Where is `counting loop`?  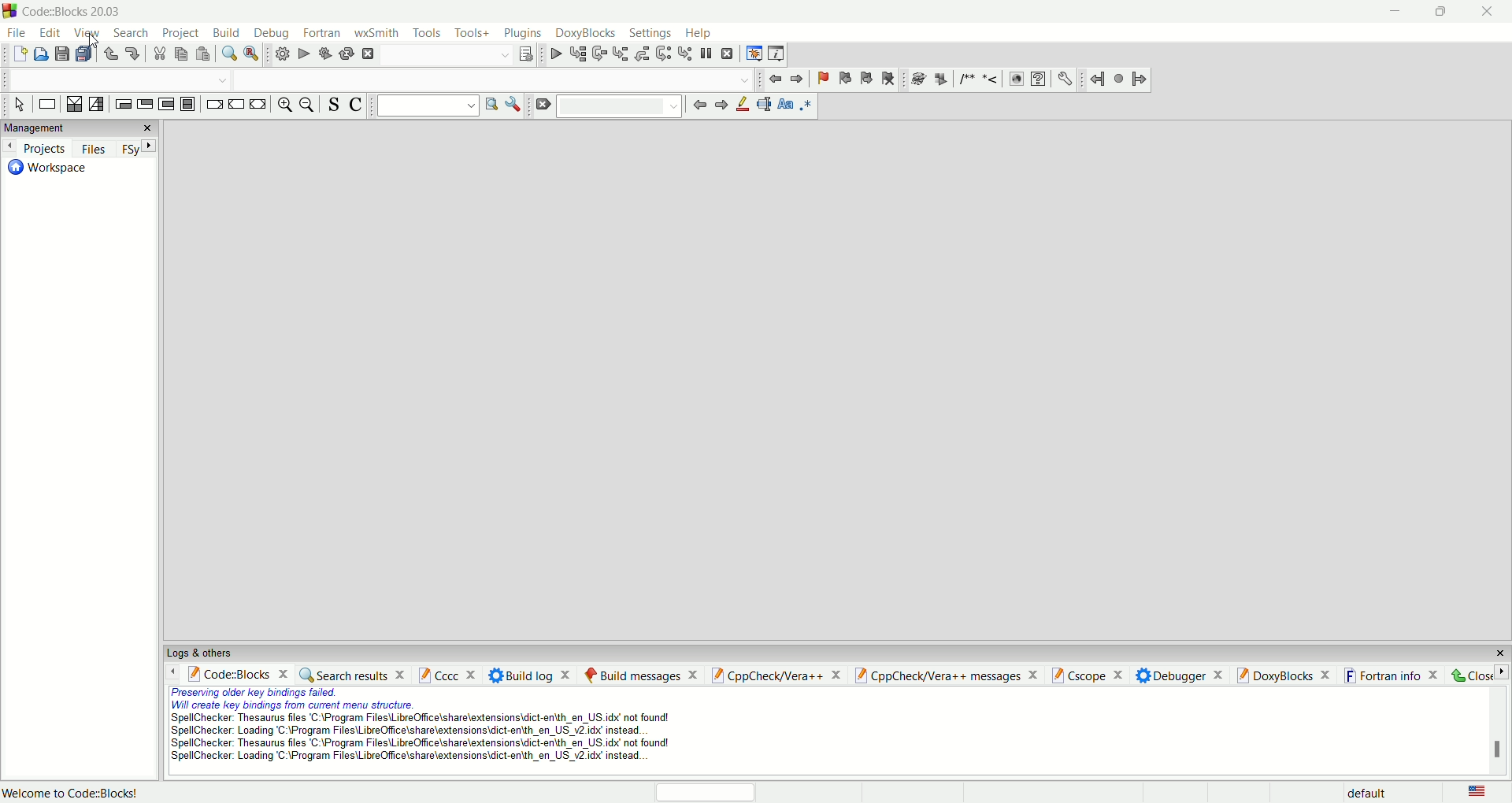 counting loop is located at coordinates (166, 105).